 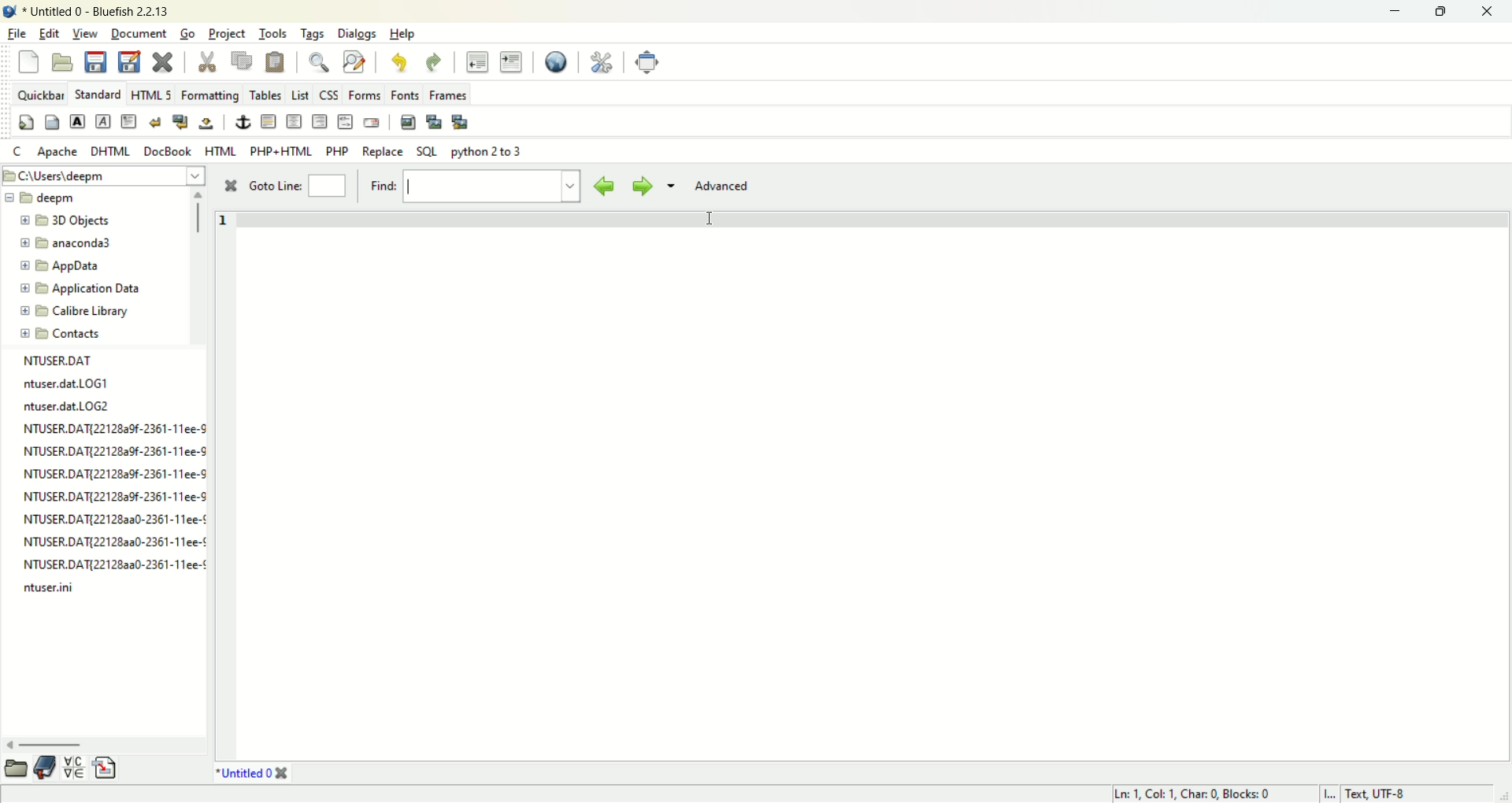 I want to click on advanced, so click(x=728, y=187).